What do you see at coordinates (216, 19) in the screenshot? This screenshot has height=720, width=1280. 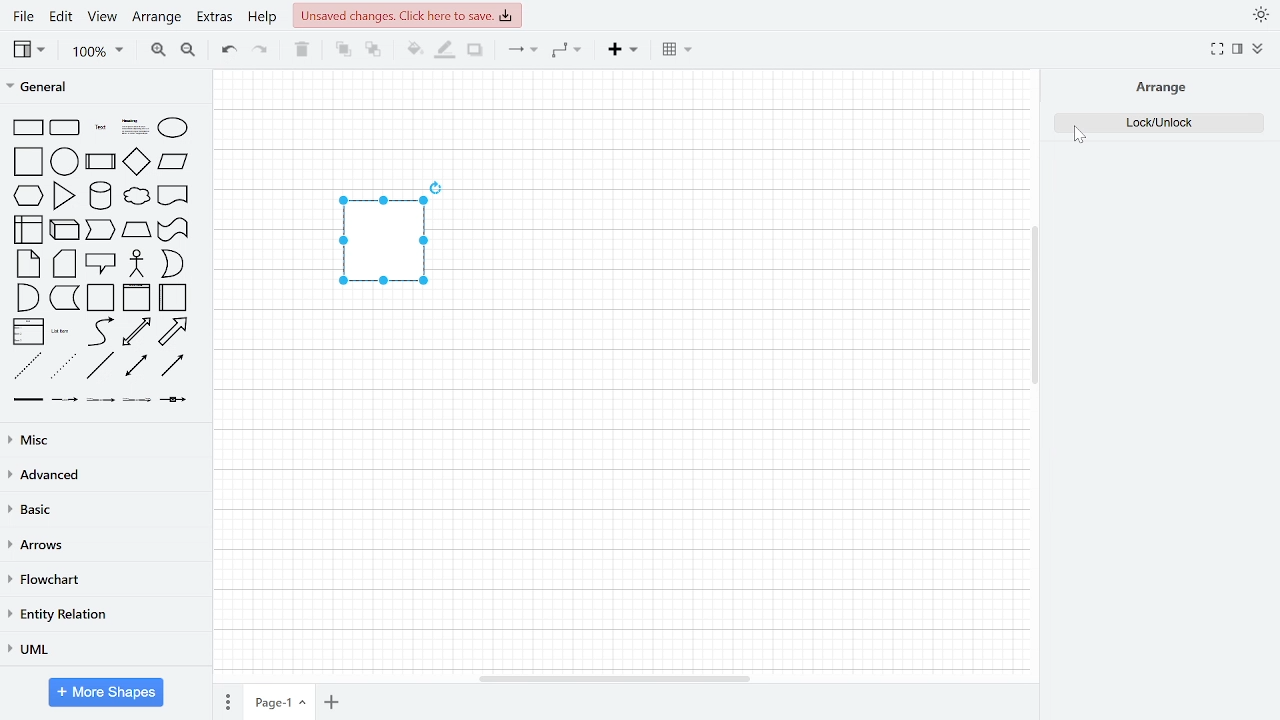 I see `extras` at bounding box center [216, 19].